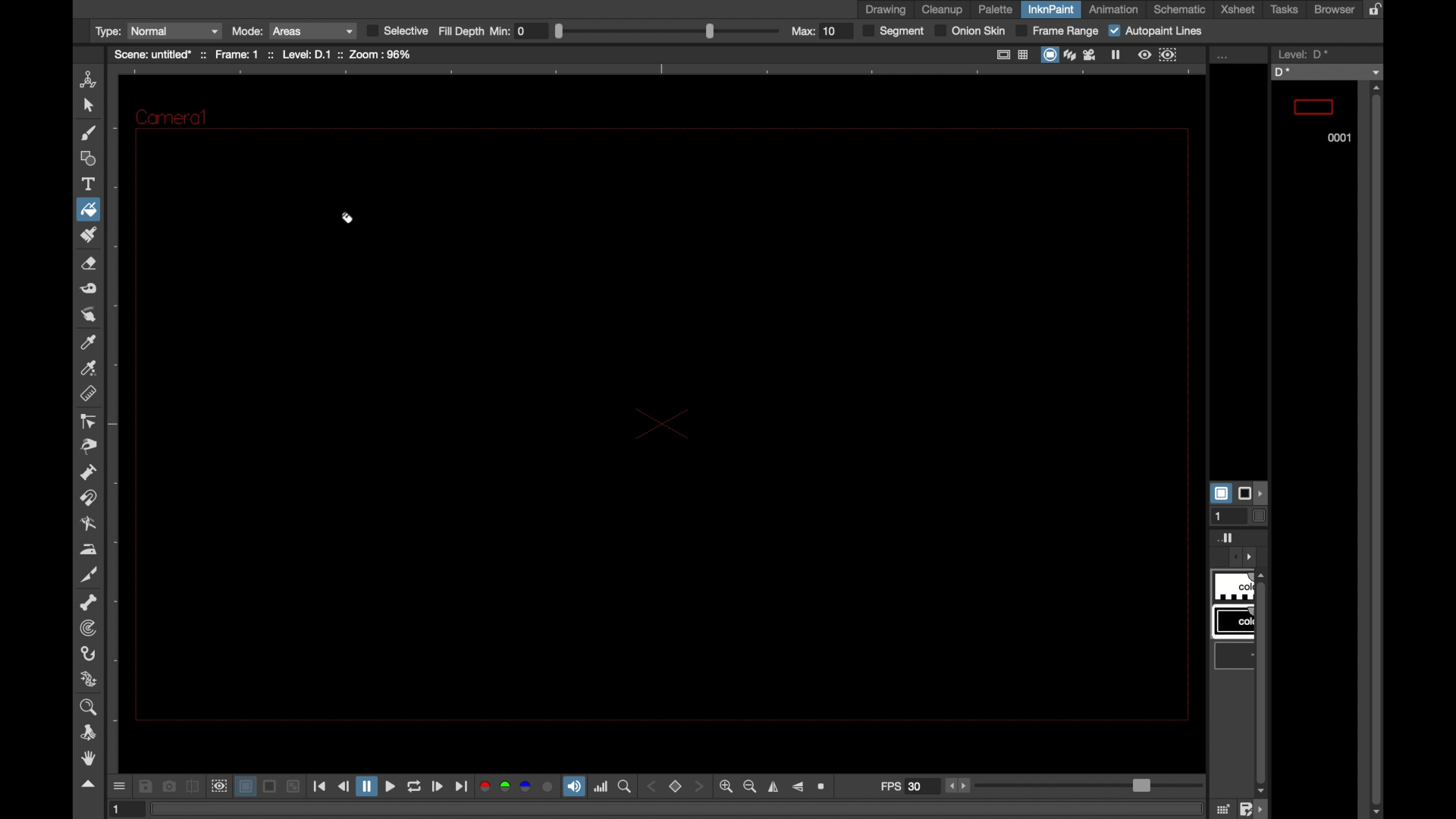 The height and width of the screenshot is (819, 1456). I want to click on rotate tool, so click(90, 733).